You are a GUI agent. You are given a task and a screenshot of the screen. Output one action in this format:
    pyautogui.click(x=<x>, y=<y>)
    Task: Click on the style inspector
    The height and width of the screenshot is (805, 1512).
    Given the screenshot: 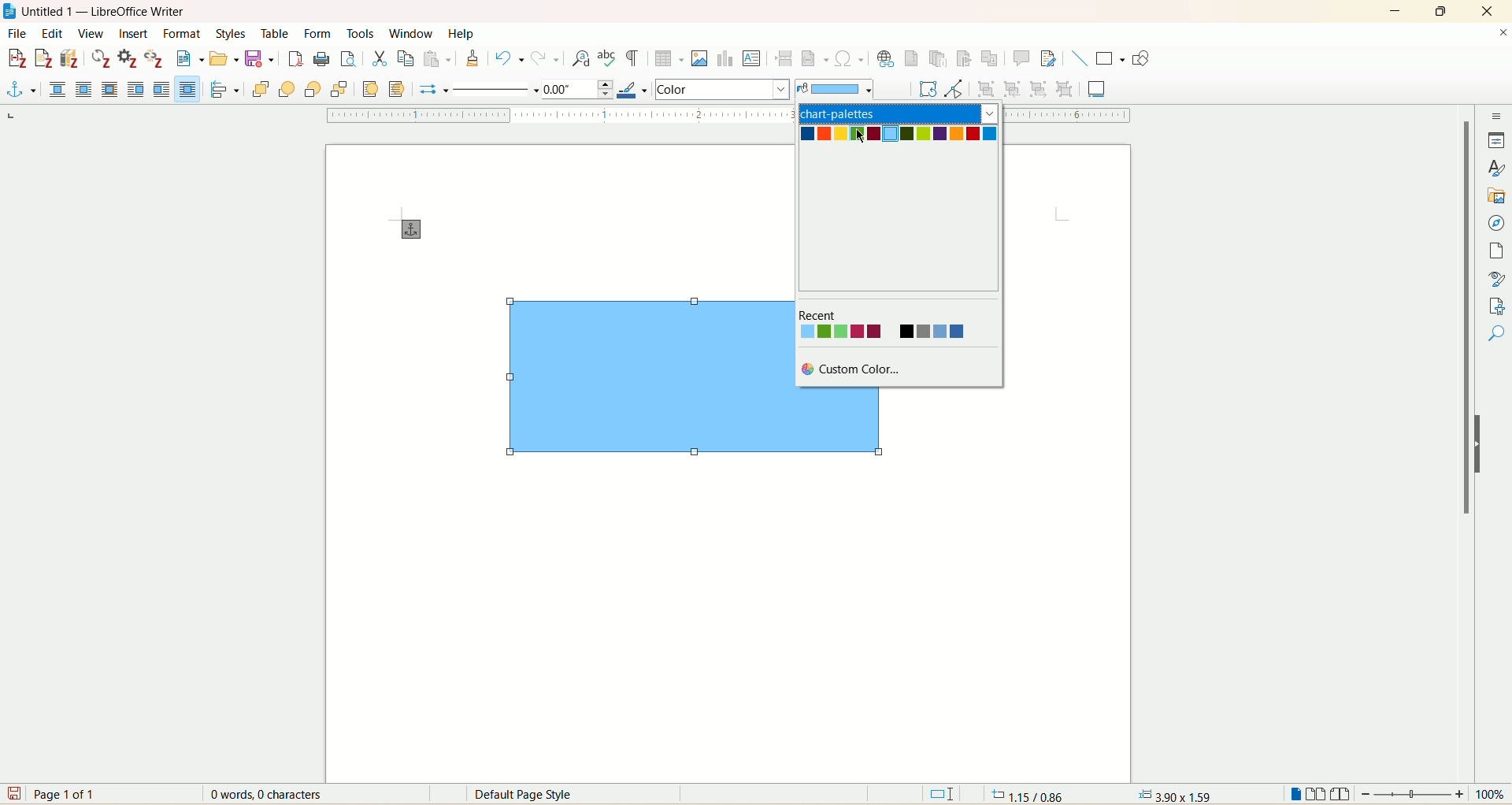 What is the action you would take?
    pyautogui.click(x=1495, y=280)
    